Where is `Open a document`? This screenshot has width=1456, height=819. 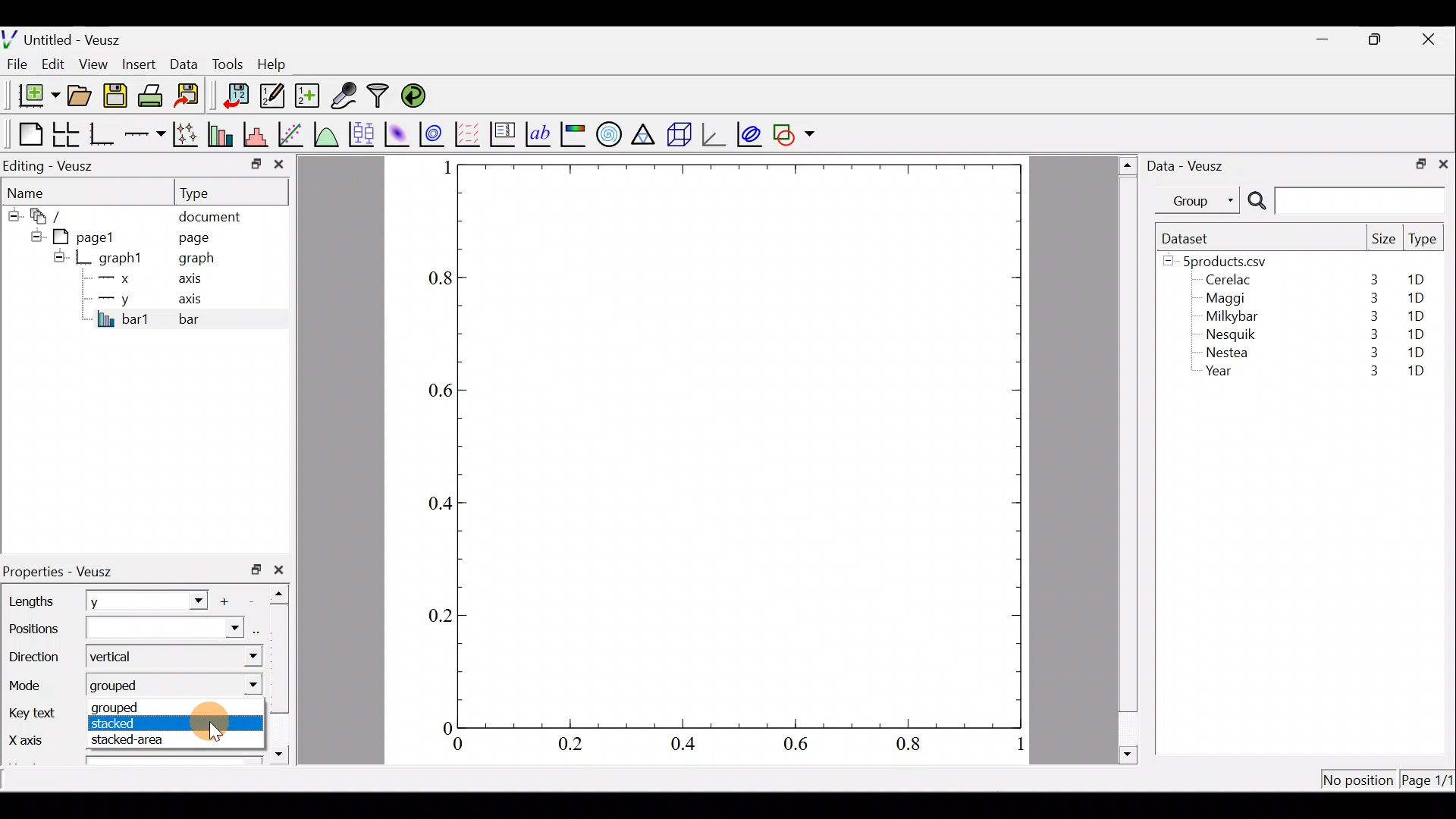
Open a document is located at coordinates (81, 97).